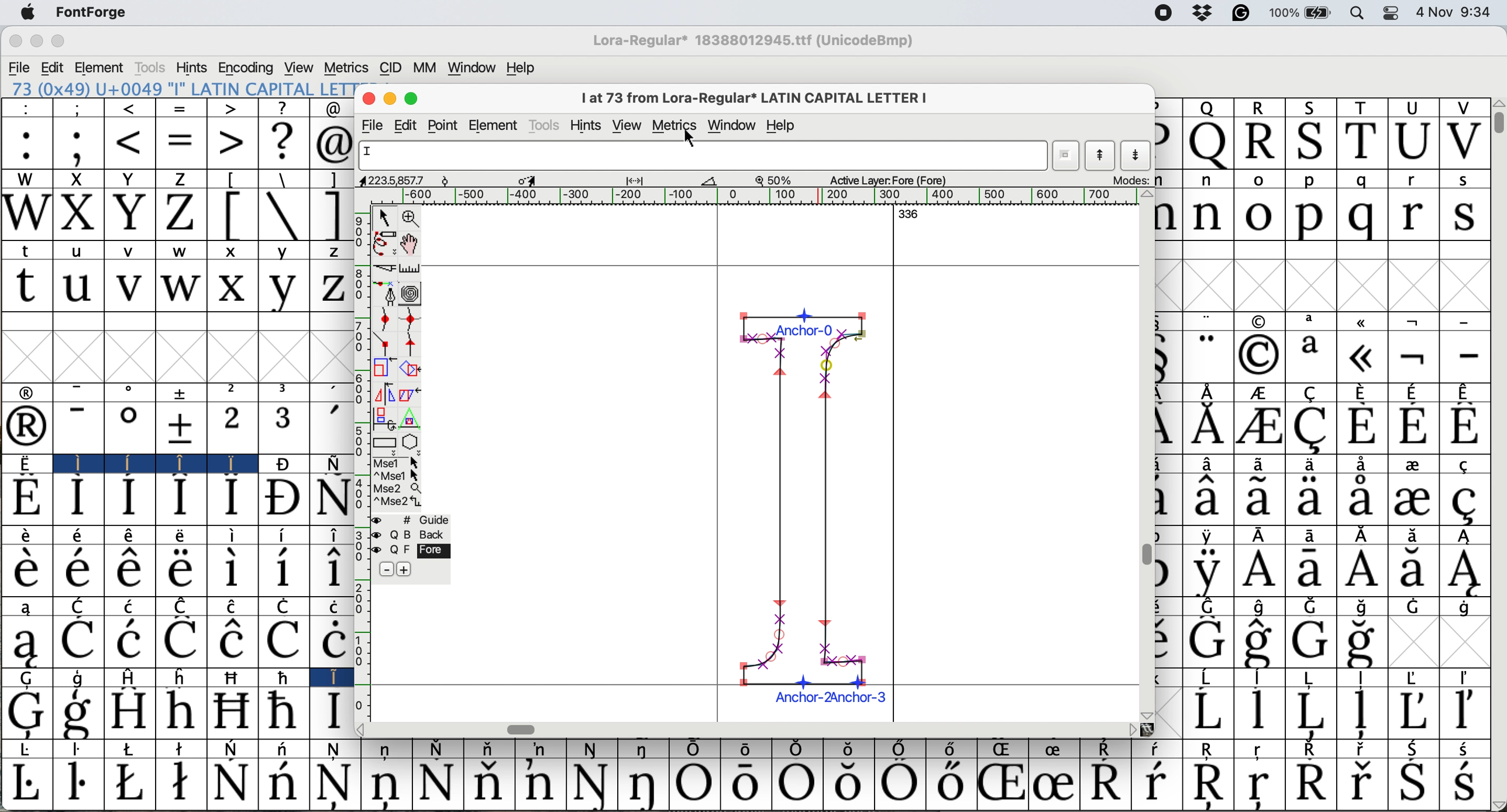  Describe the element at coordinates (1411, 180) in the screenshot. I see `r` at that location.